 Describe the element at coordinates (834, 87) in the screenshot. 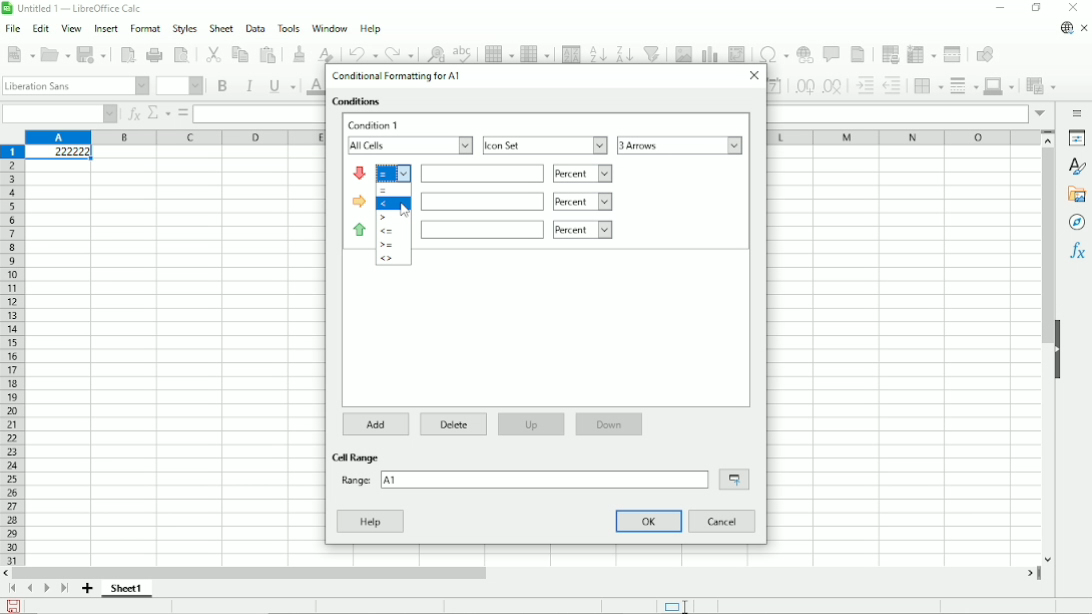

I see `Delete decimal place` at that location.